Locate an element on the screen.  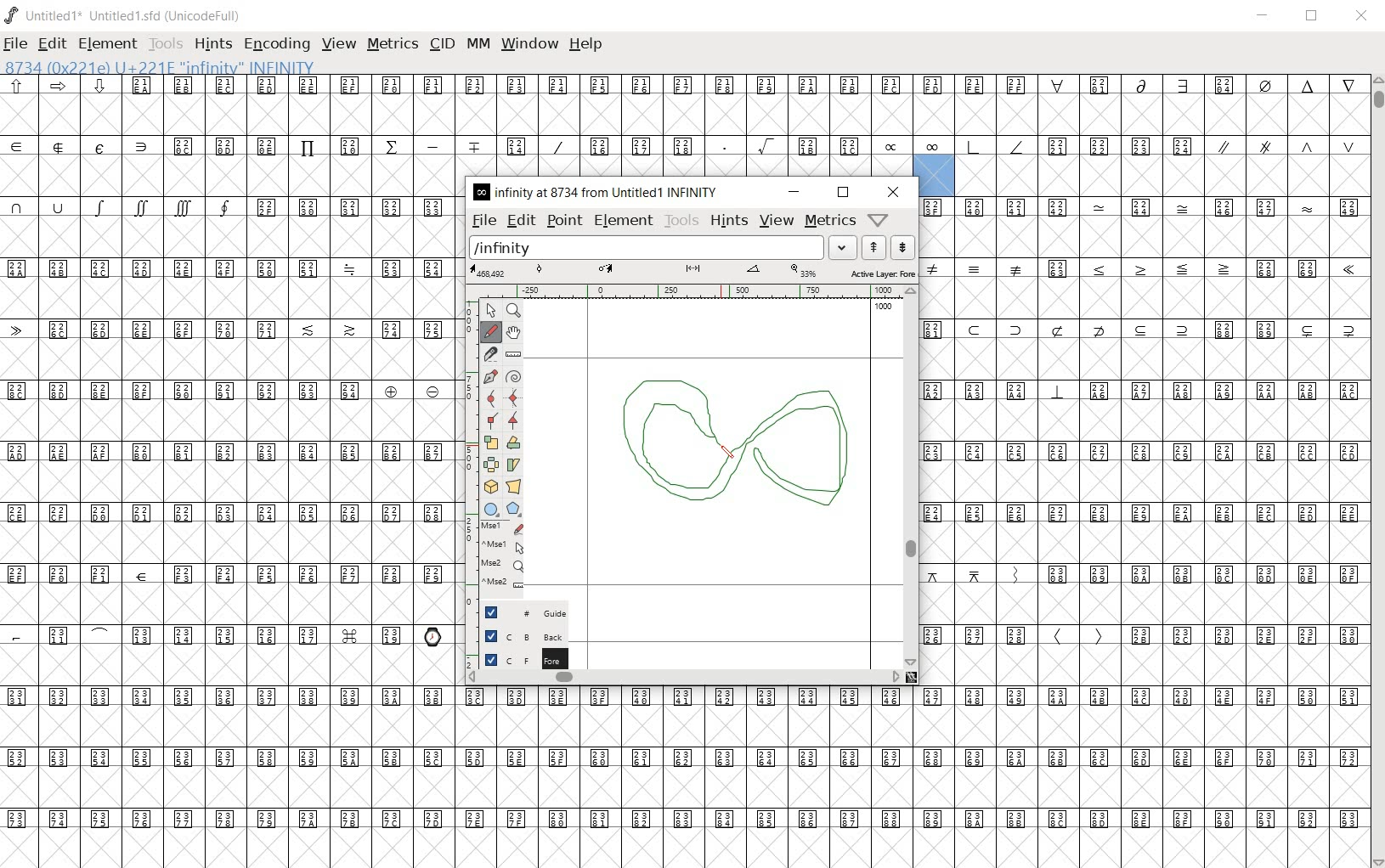
symbol is located at coordinates (1348, 270).